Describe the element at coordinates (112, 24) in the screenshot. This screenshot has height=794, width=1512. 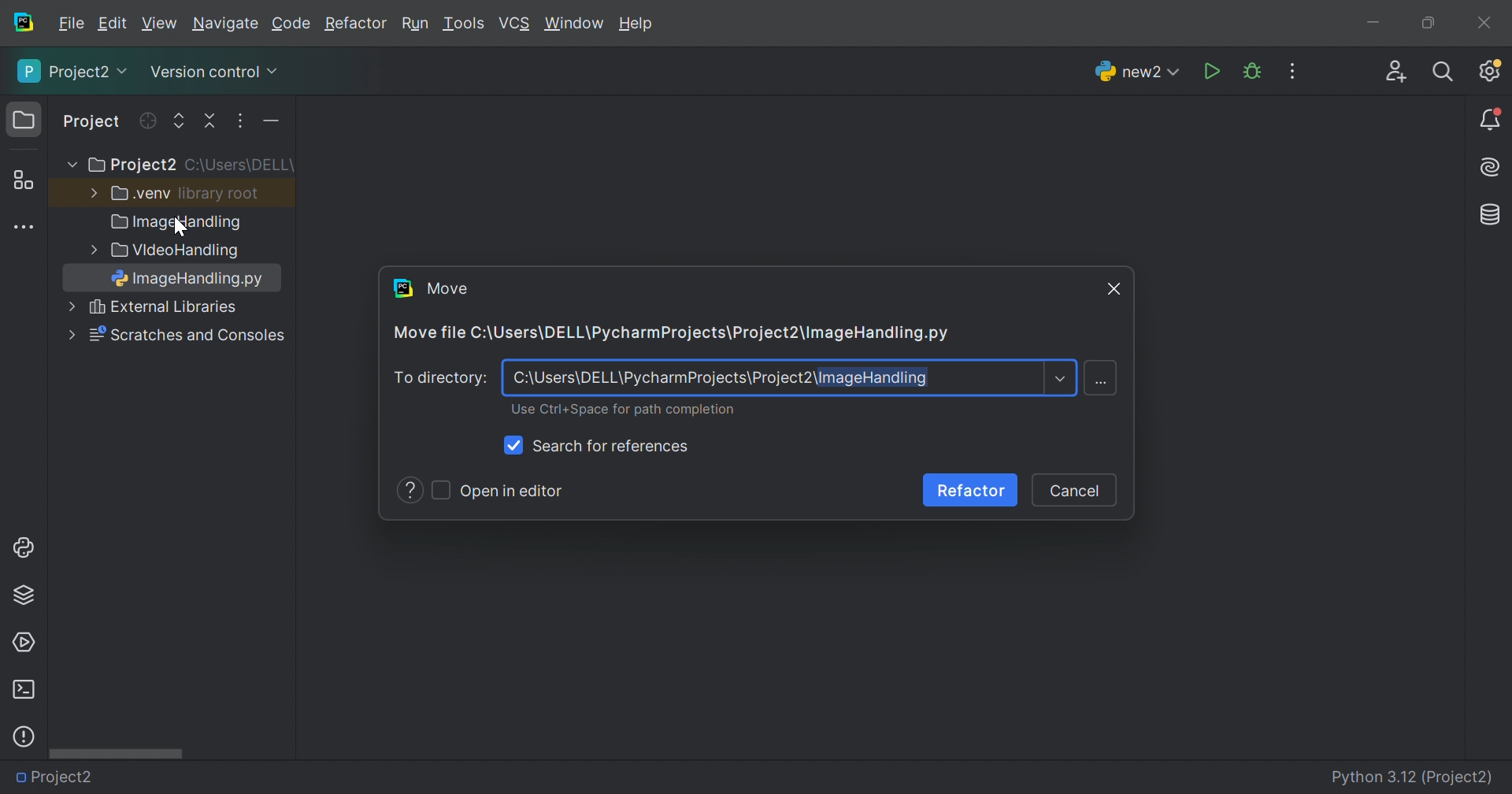
I see `Edit` at that location.